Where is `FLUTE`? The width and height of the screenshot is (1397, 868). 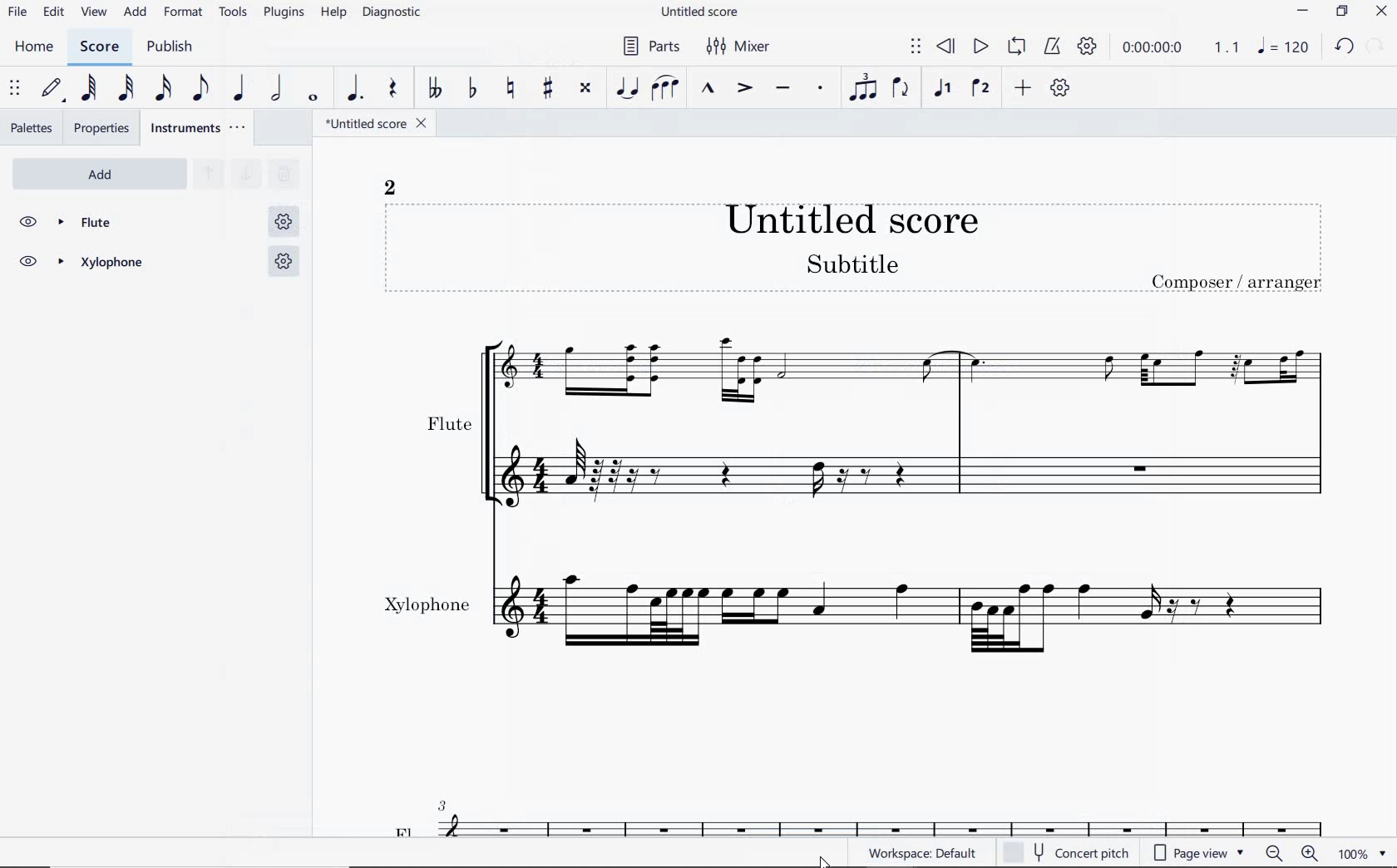
FLUTE is located at coordinates (158, 223).